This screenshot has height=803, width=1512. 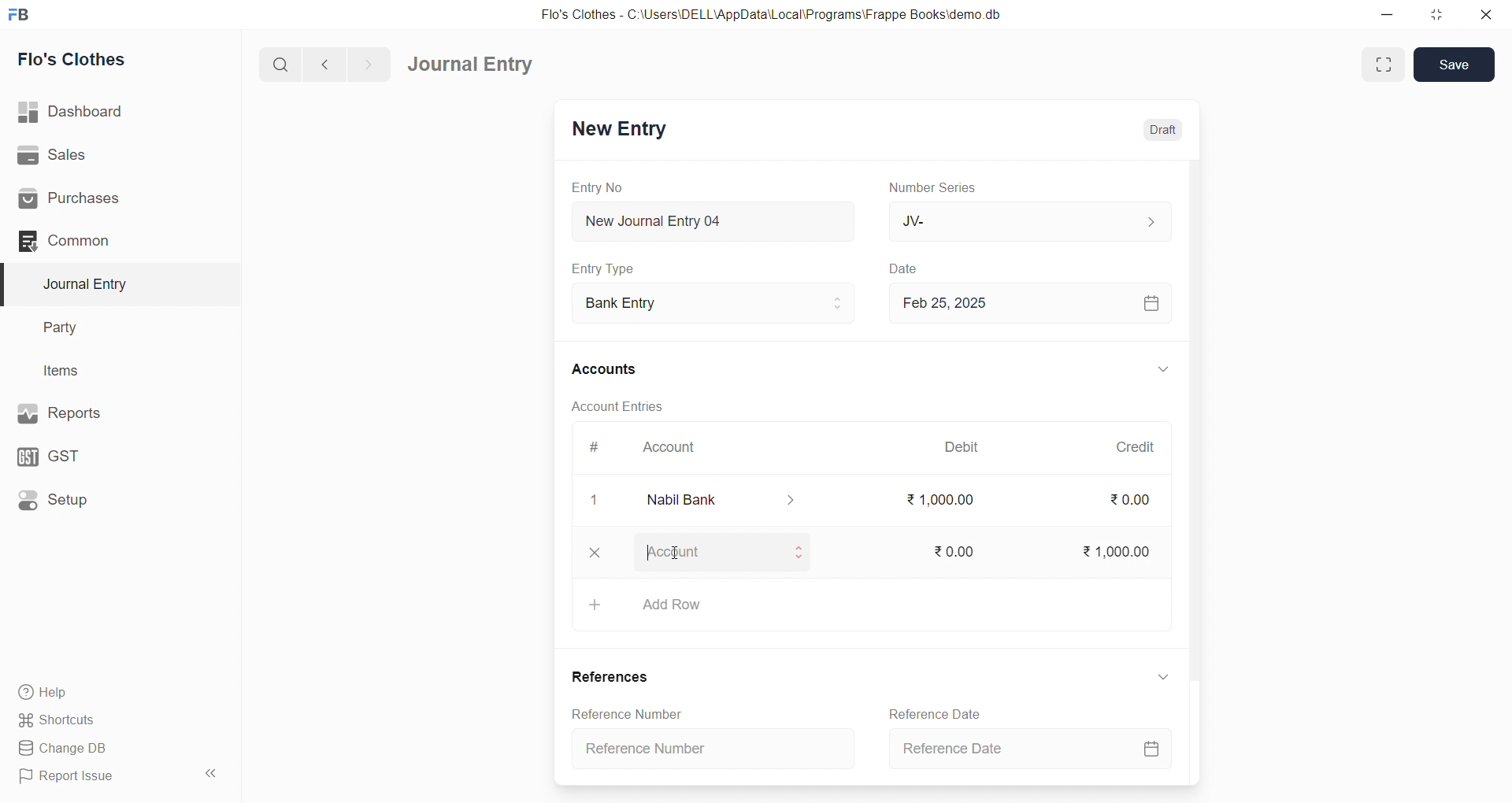 I want to click on Party, so click(x=110, y=328).